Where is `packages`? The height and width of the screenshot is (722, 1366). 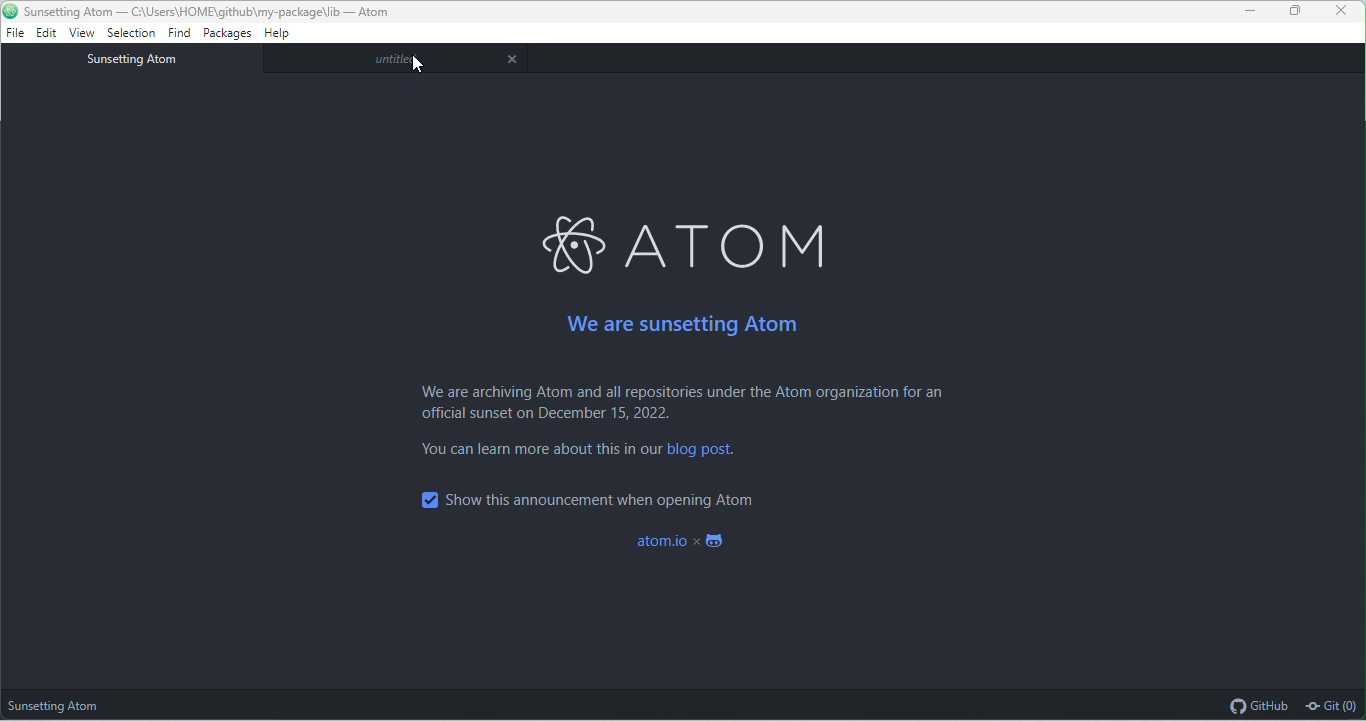 packages is located at coordinates (229, 34).